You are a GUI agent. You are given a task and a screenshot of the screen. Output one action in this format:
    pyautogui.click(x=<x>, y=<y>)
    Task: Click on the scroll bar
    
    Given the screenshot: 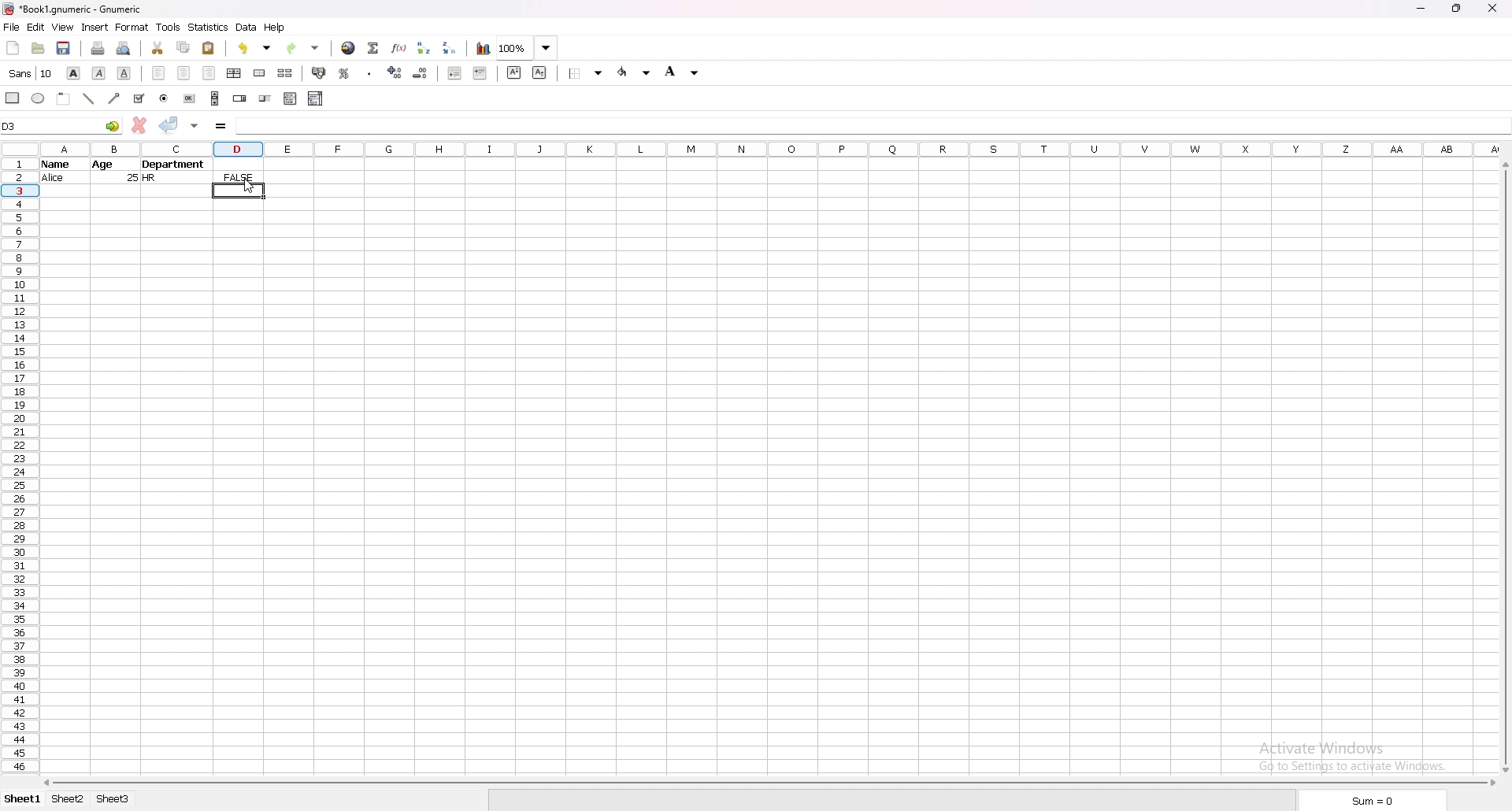 What is the action you would take?
    pyautogui.click(x=216, y=98)
    